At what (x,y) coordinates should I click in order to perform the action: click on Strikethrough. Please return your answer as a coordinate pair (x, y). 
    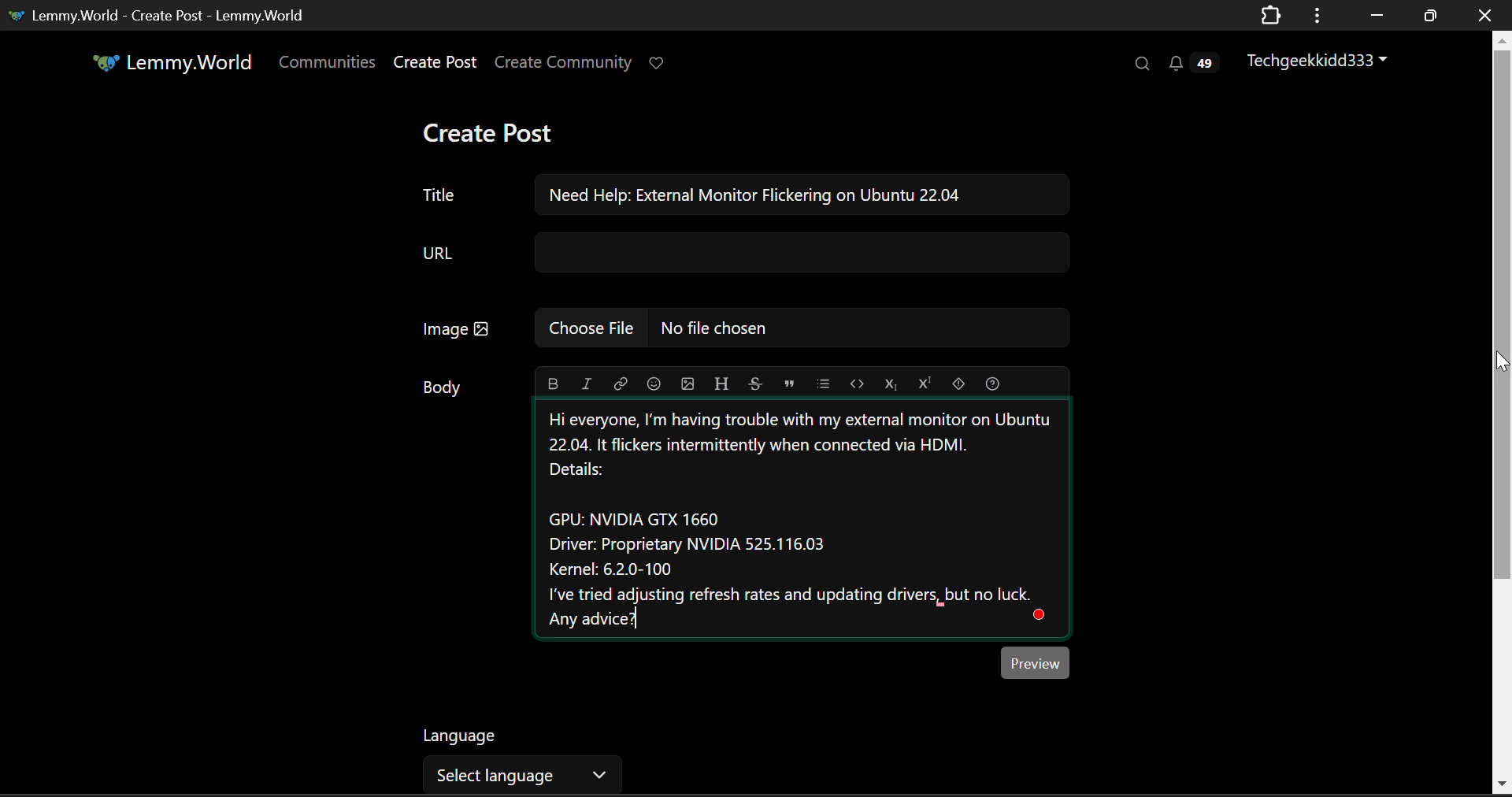
    Looking at the image, I should click on (755, 385).